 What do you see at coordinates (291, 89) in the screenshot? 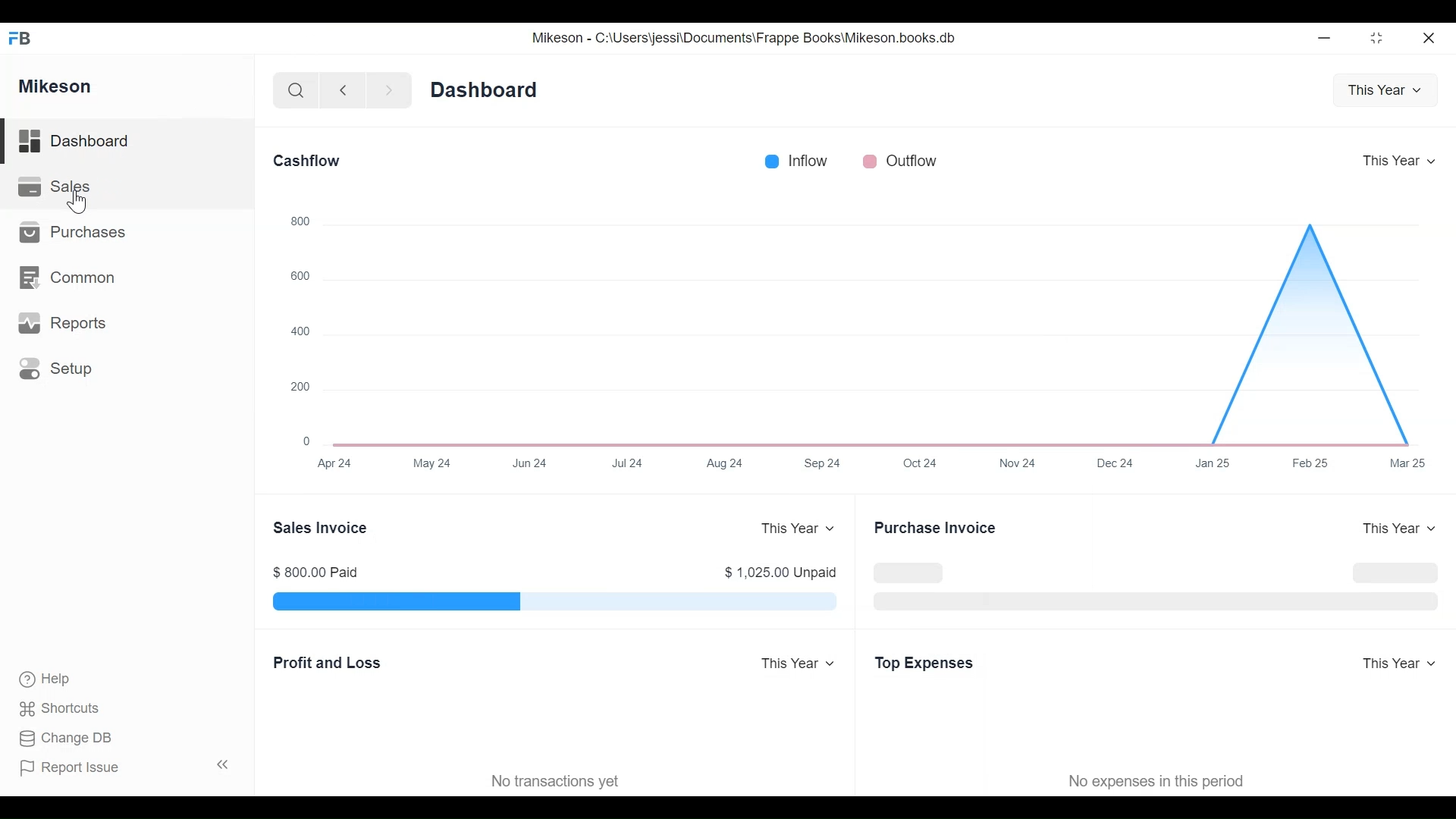
I see `Search` at bounding box center [291, 89].